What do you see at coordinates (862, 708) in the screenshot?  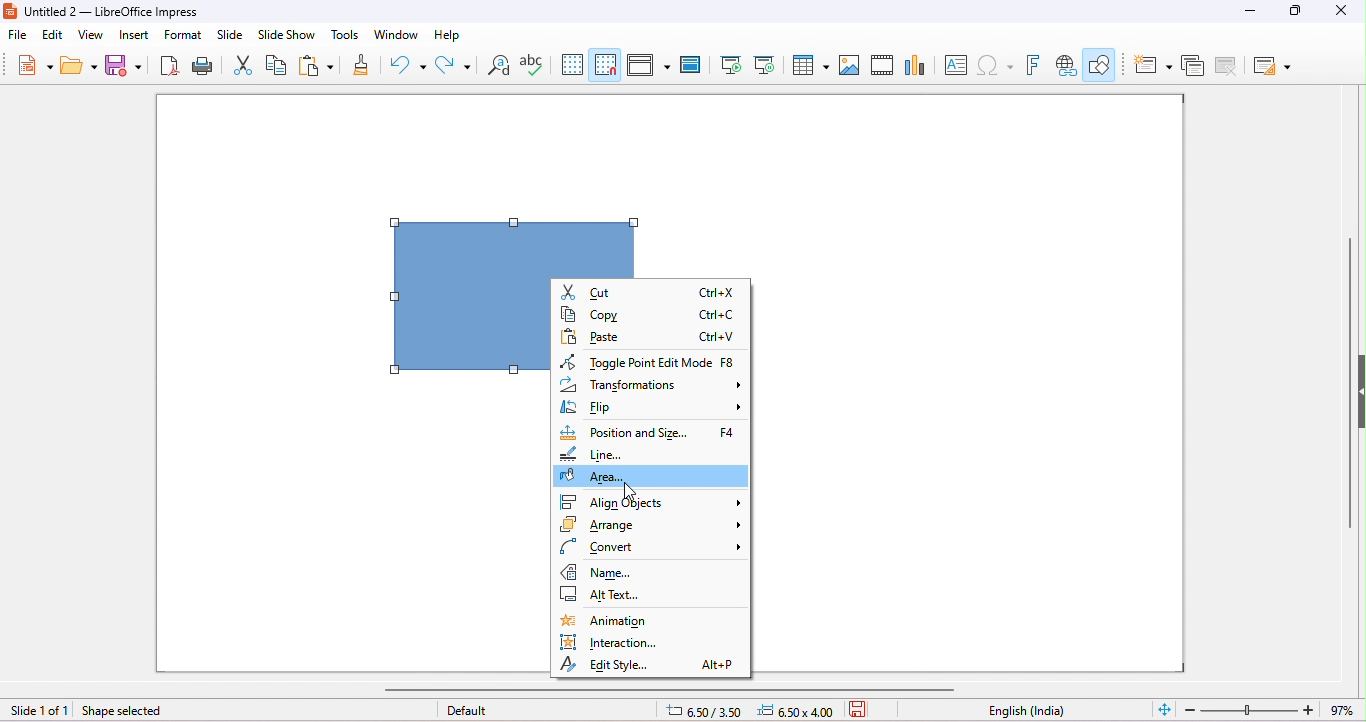 I see `save` at bounding box center [862, 708].